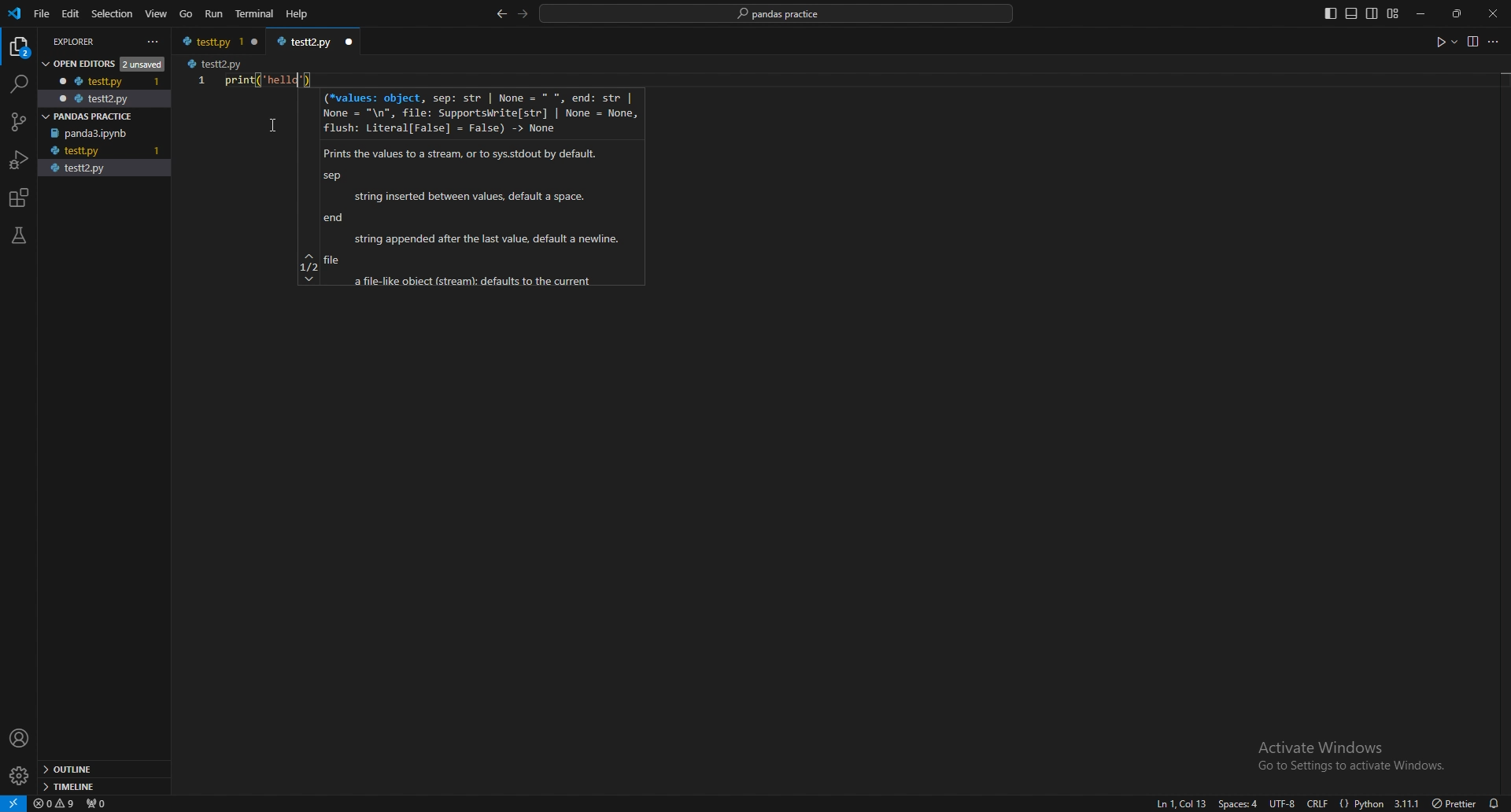 The image size is (1511, 812). Describe the element at coordinates (501, 15) in the screenshot. I see `back` at that location.